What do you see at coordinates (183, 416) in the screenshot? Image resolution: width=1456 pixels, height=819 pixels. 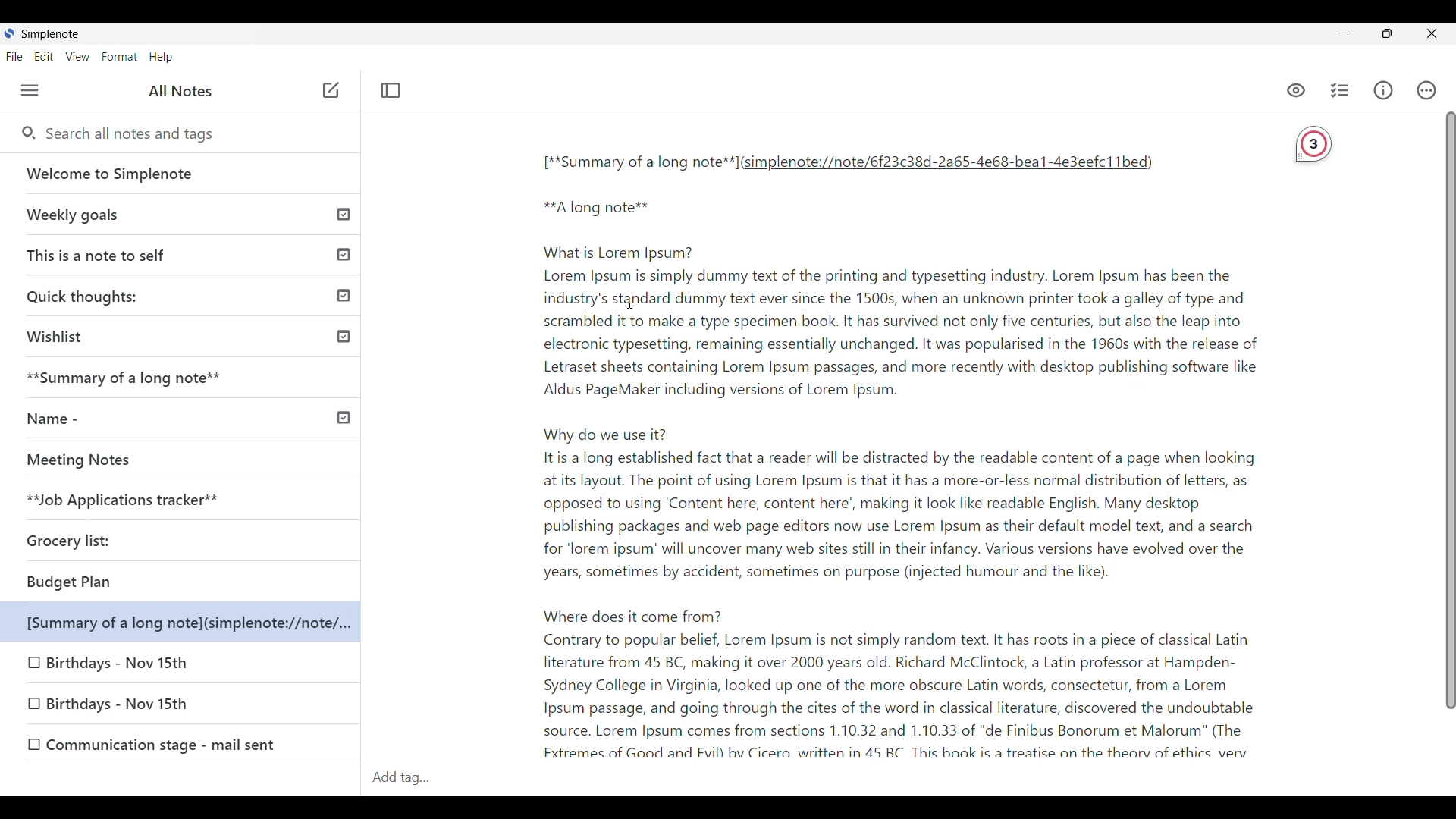 I see `Name` at bounding box center [183, 416].